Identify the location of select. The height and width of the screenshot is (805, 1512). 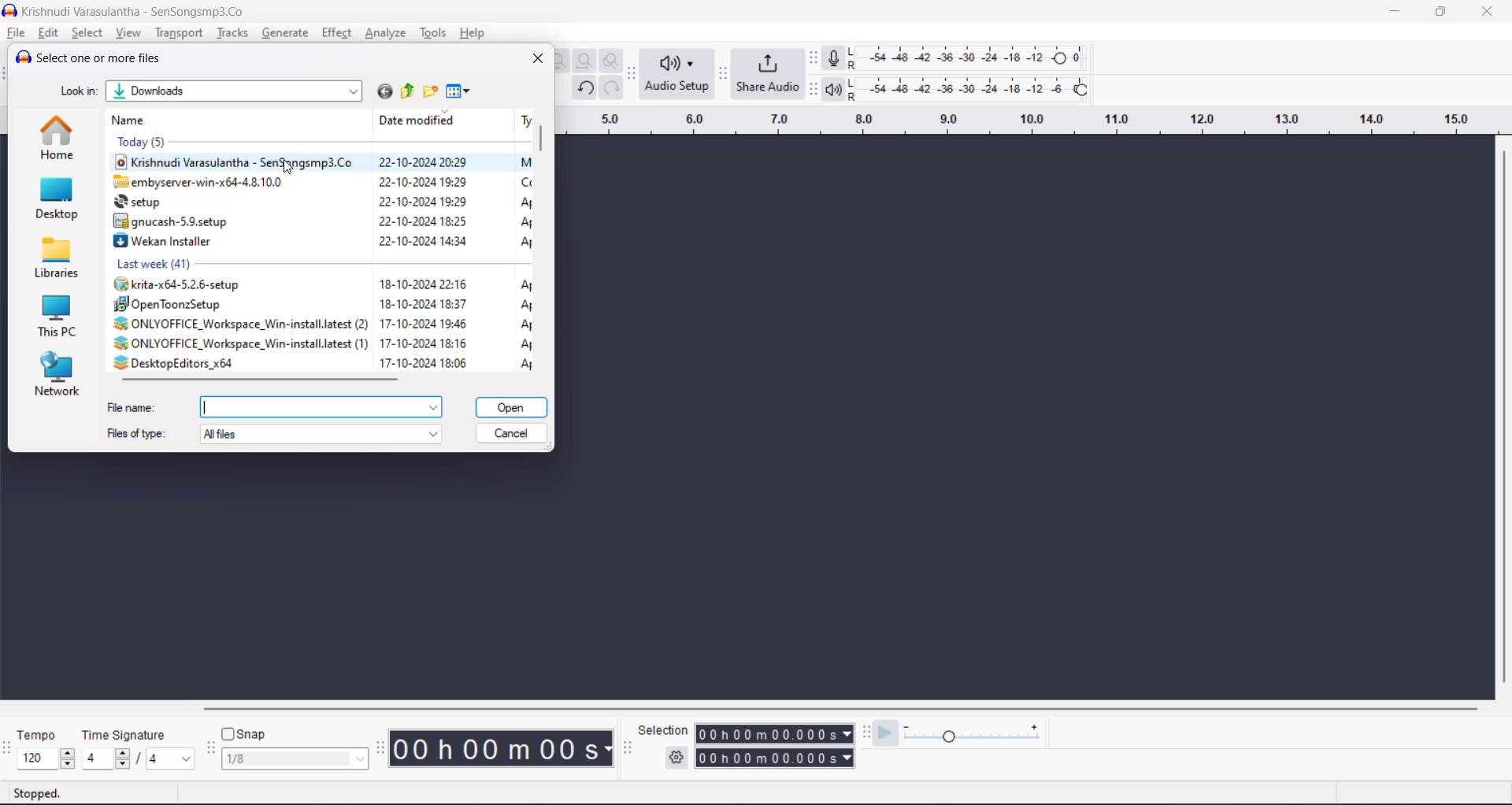
(89, 33).